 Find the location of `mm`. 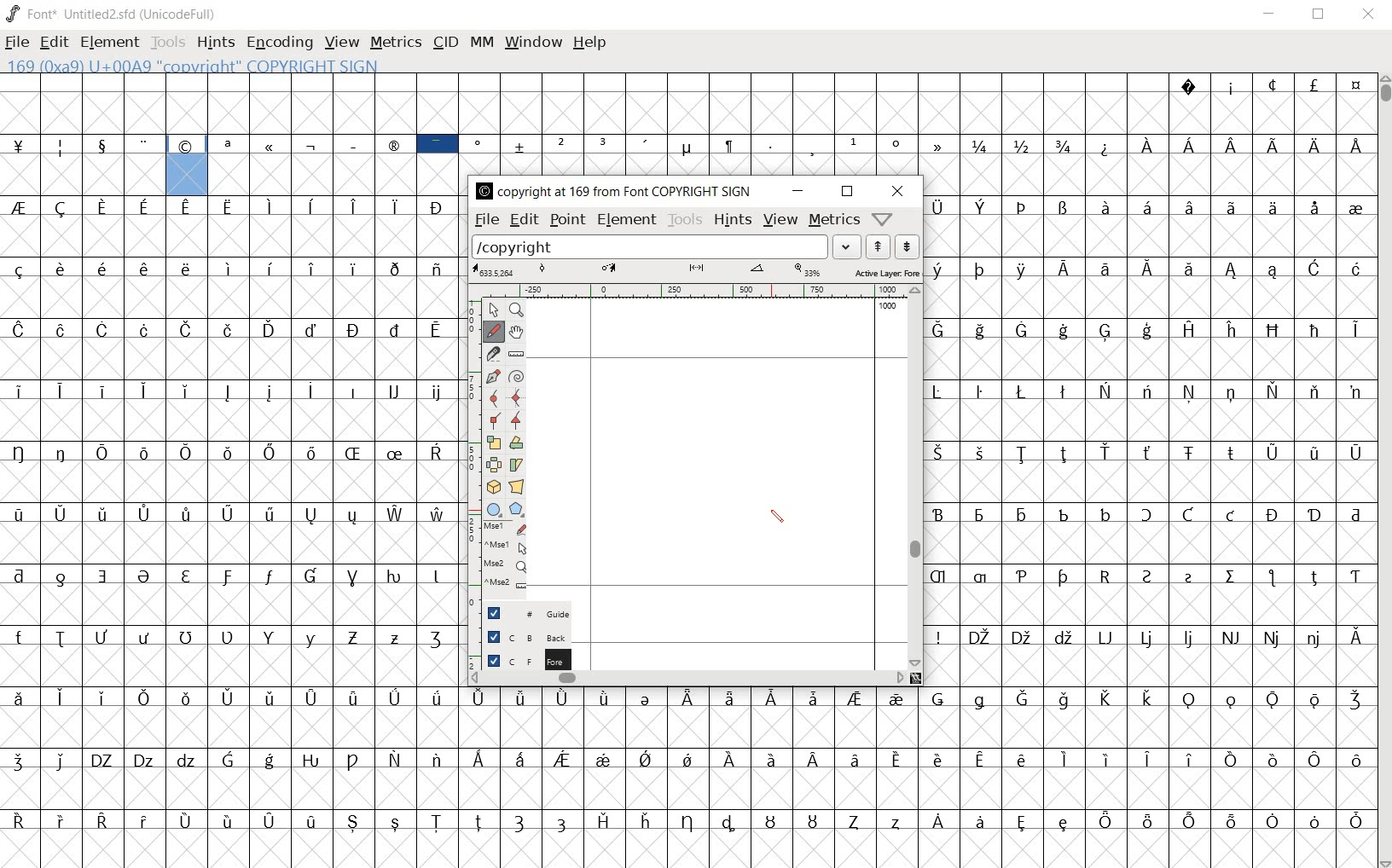

mm is located at coordinates (480, 40).